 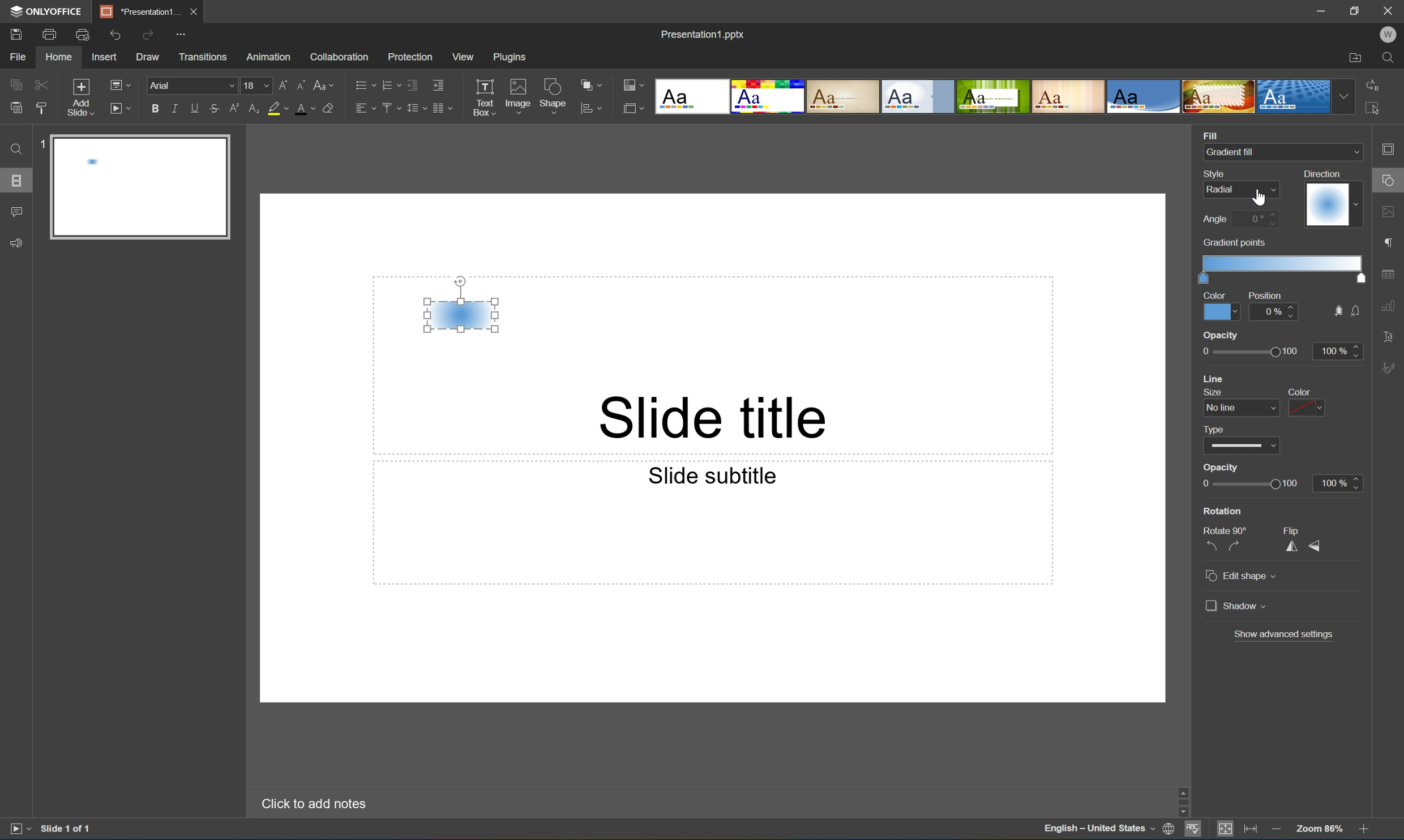 I want to click on Select all, so click(x=1376, y=112).